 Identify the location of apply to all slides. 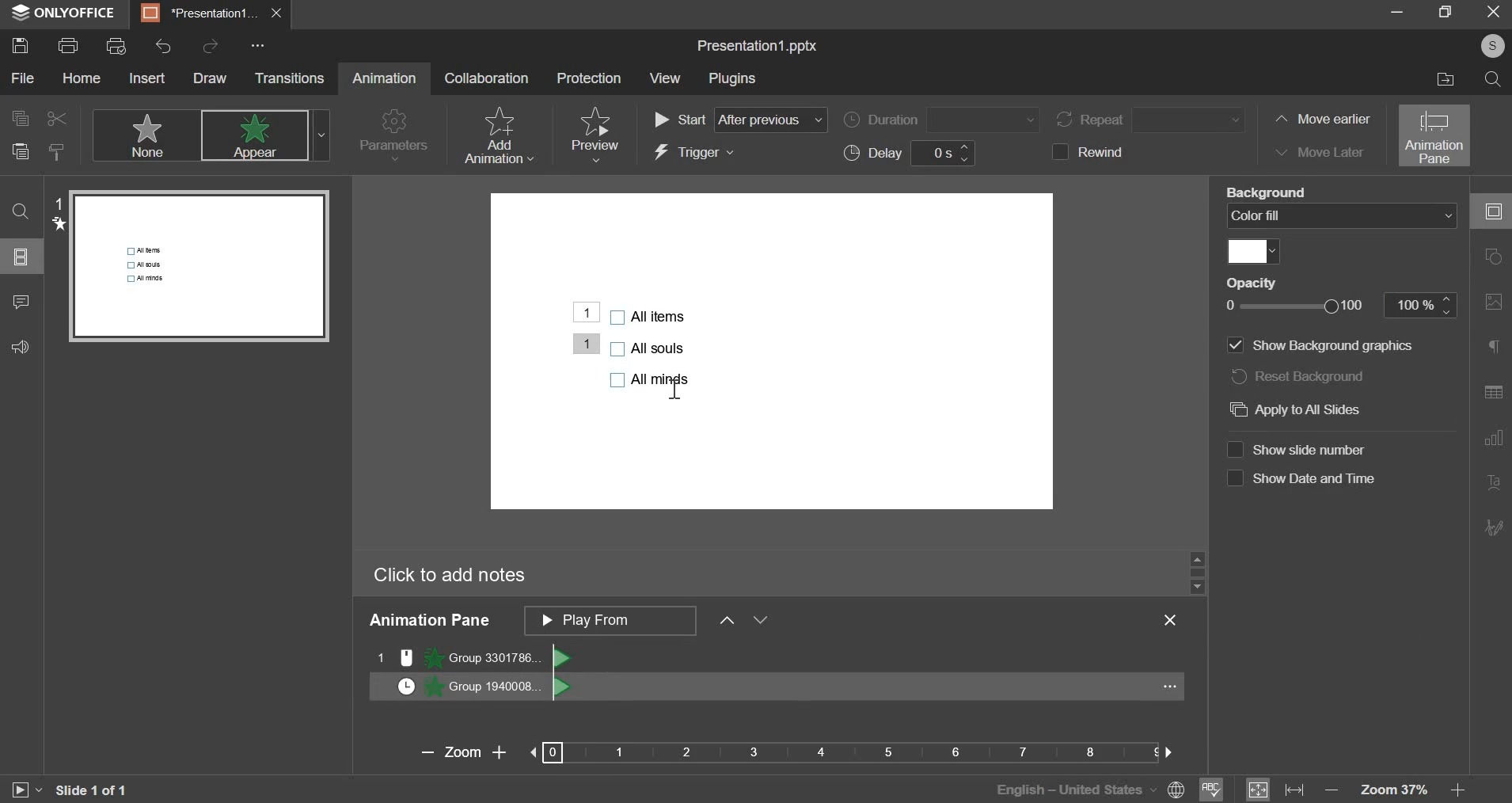
(1305, 409).